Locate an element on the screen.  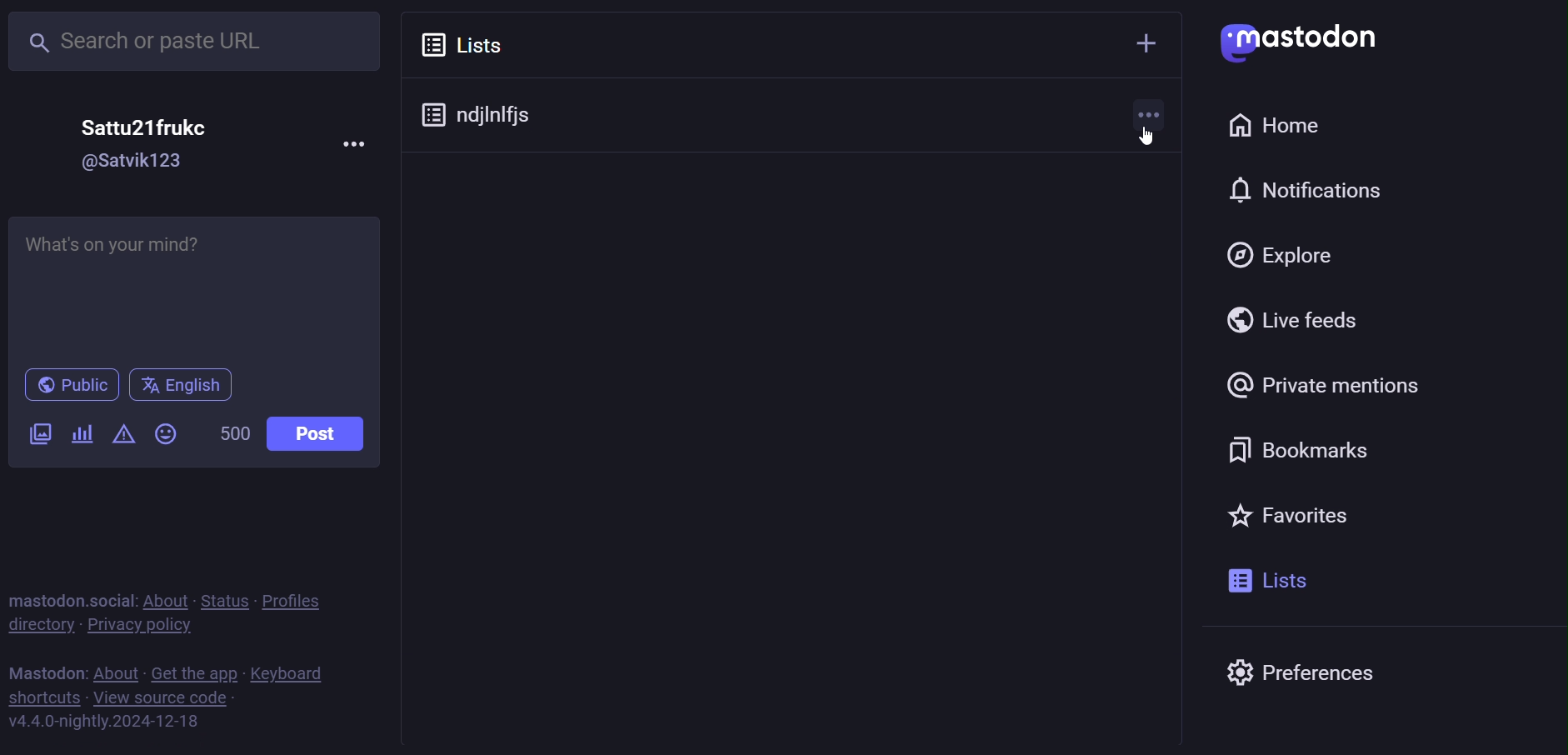
mastodon is located at coordinates (42, 671).